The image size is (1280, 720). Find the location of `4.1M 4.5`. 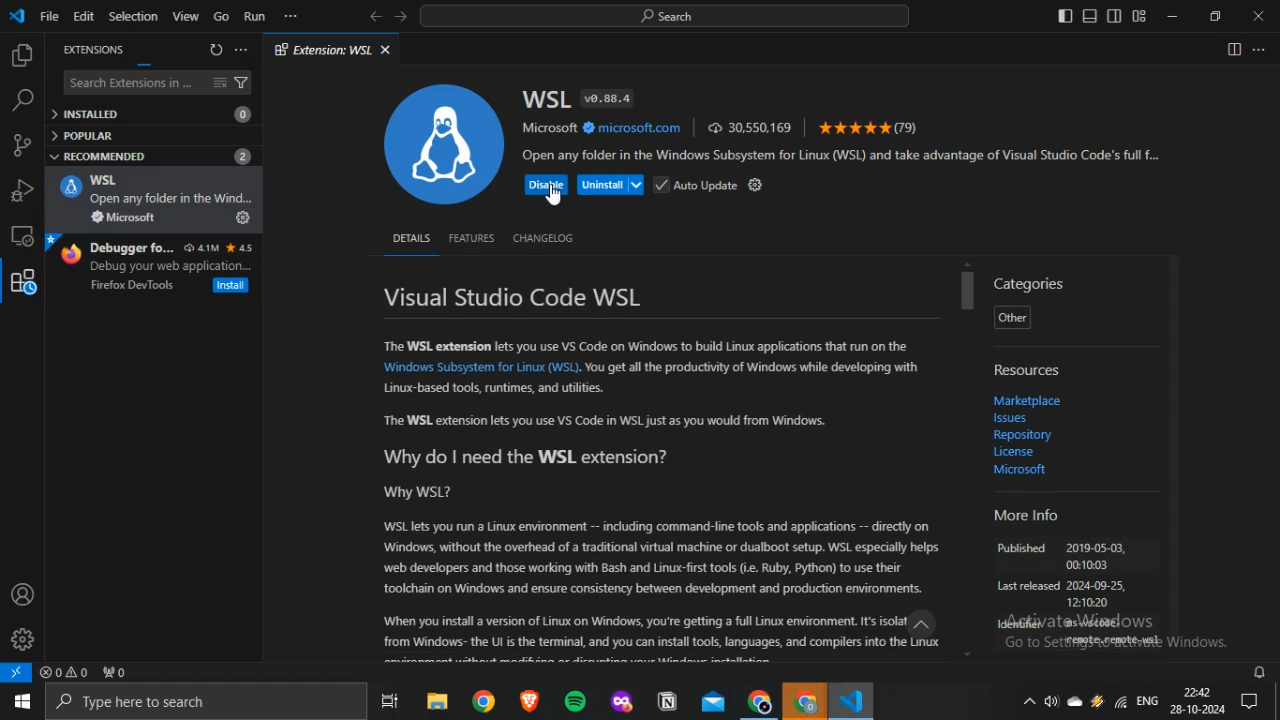

4.1M 4.5 is located at coordinates (219, 248).